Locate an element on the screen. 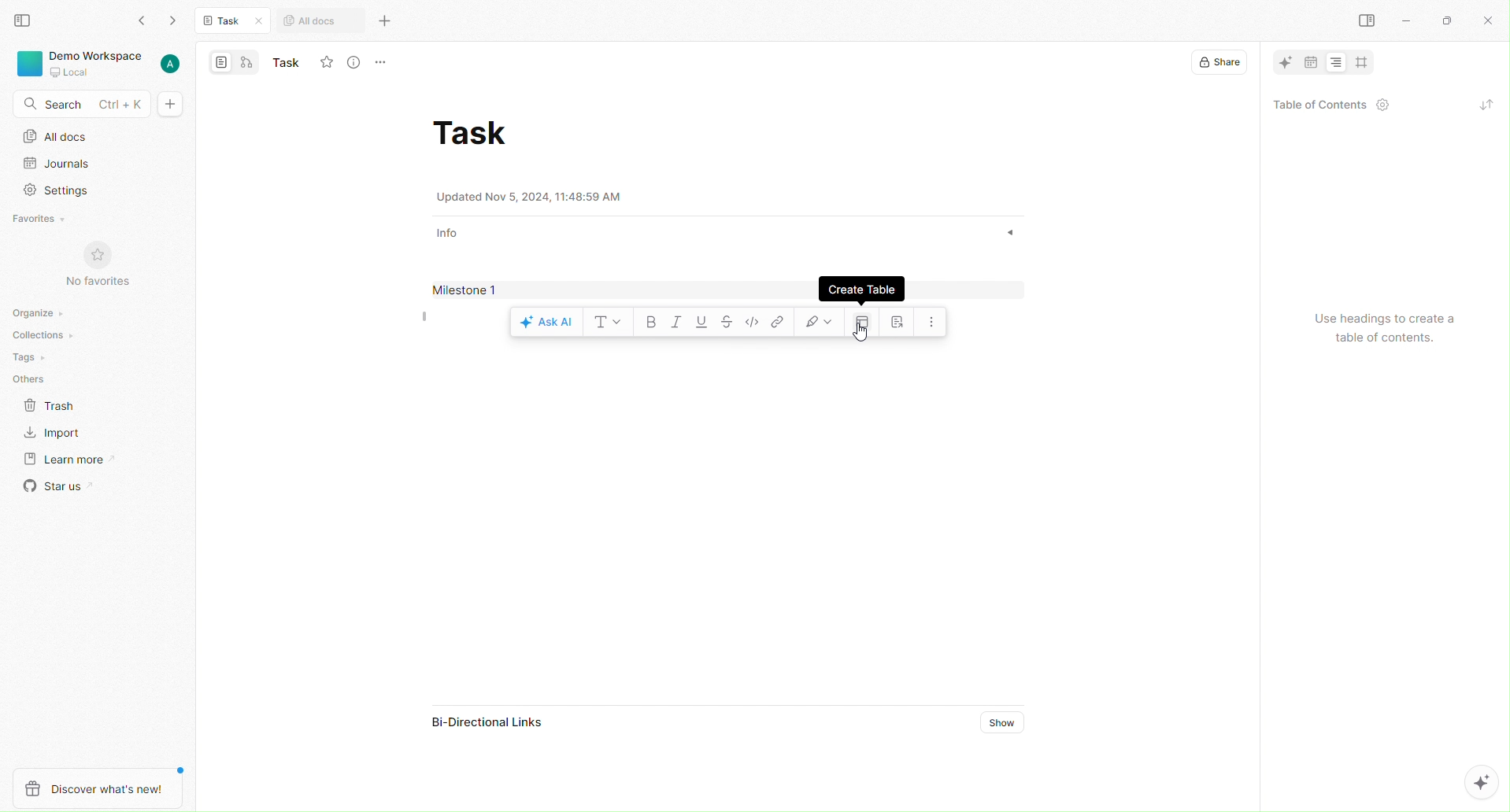 The height and width of the screenshot is (812, 1510). Search - Ctrl + K is located at coordinates (80, 103).